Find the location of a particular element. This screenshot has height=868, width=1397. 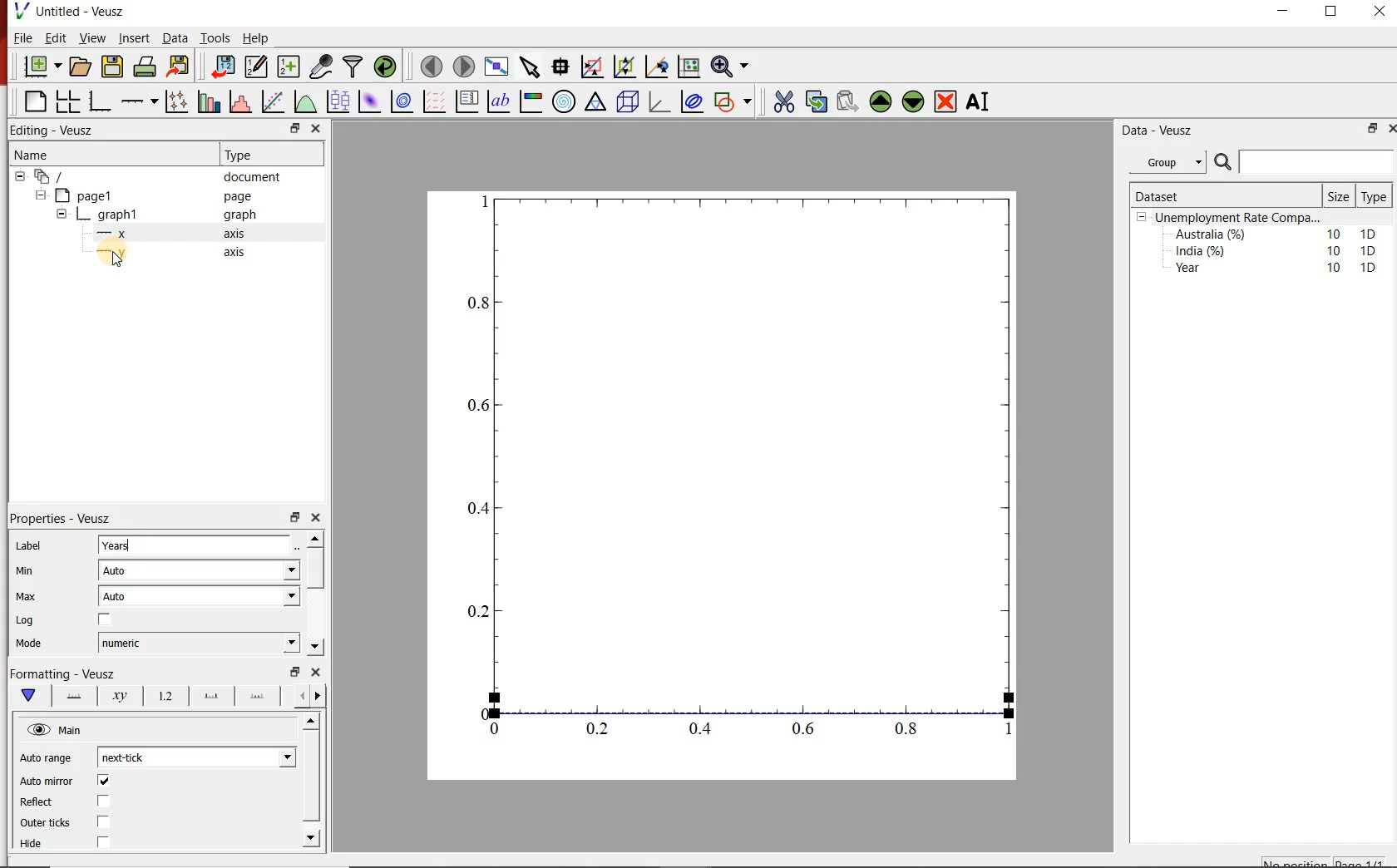

select the items is located at coordinates (531, 65).